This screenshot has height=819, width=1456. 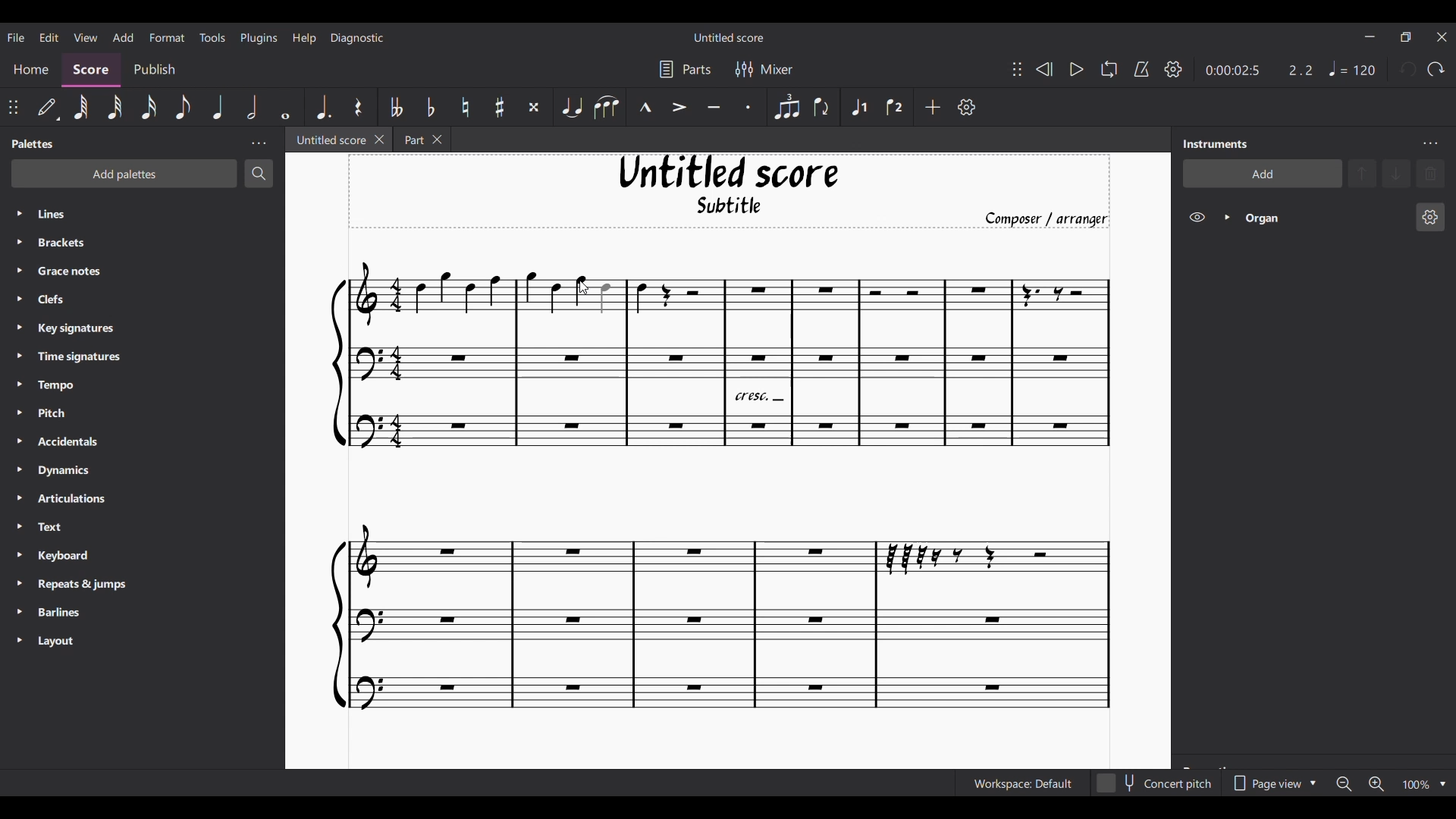 What do you see at coordinates (322, 106) in the screenshot?
I see `Augmentation dot` at bounding box center [322, 106].